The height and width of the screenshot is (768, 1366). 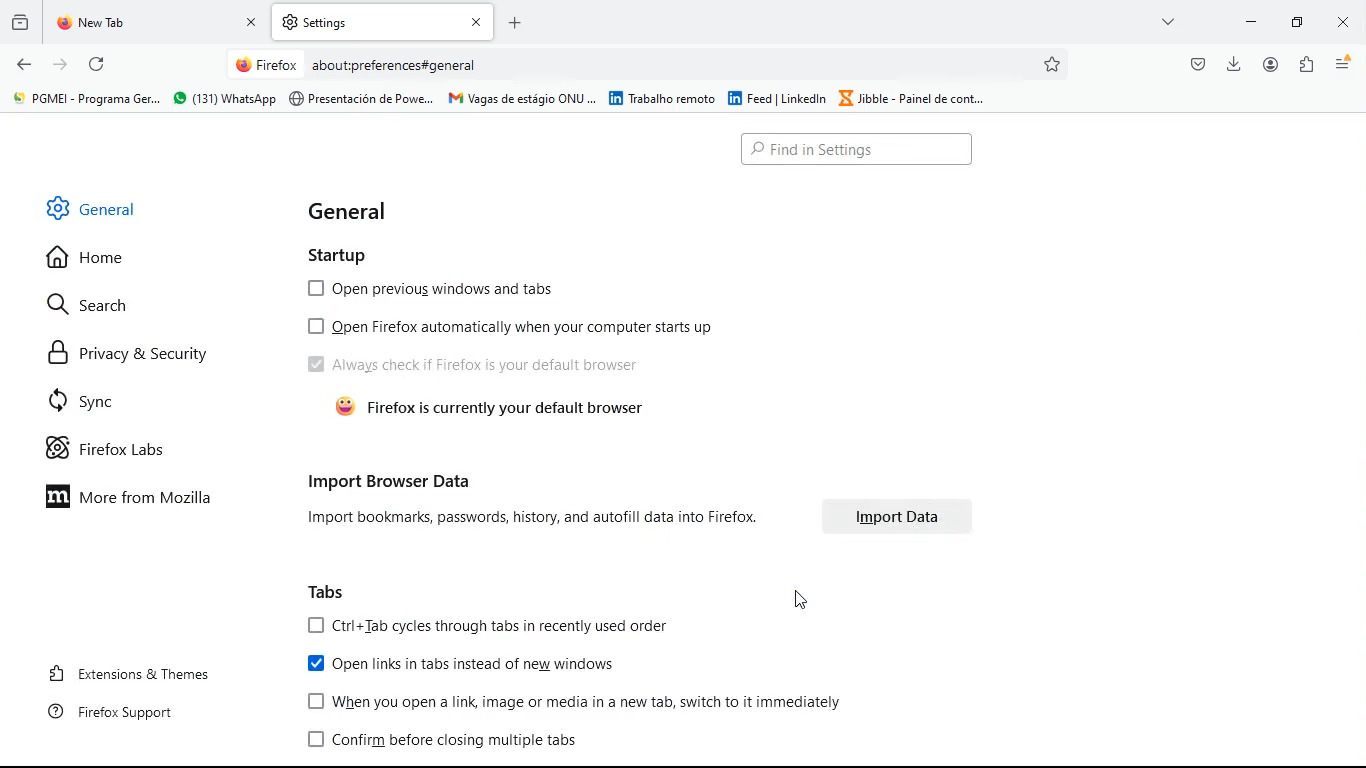 I want to click on Jibble - Painel de cont..., so click(x=914, y=99).